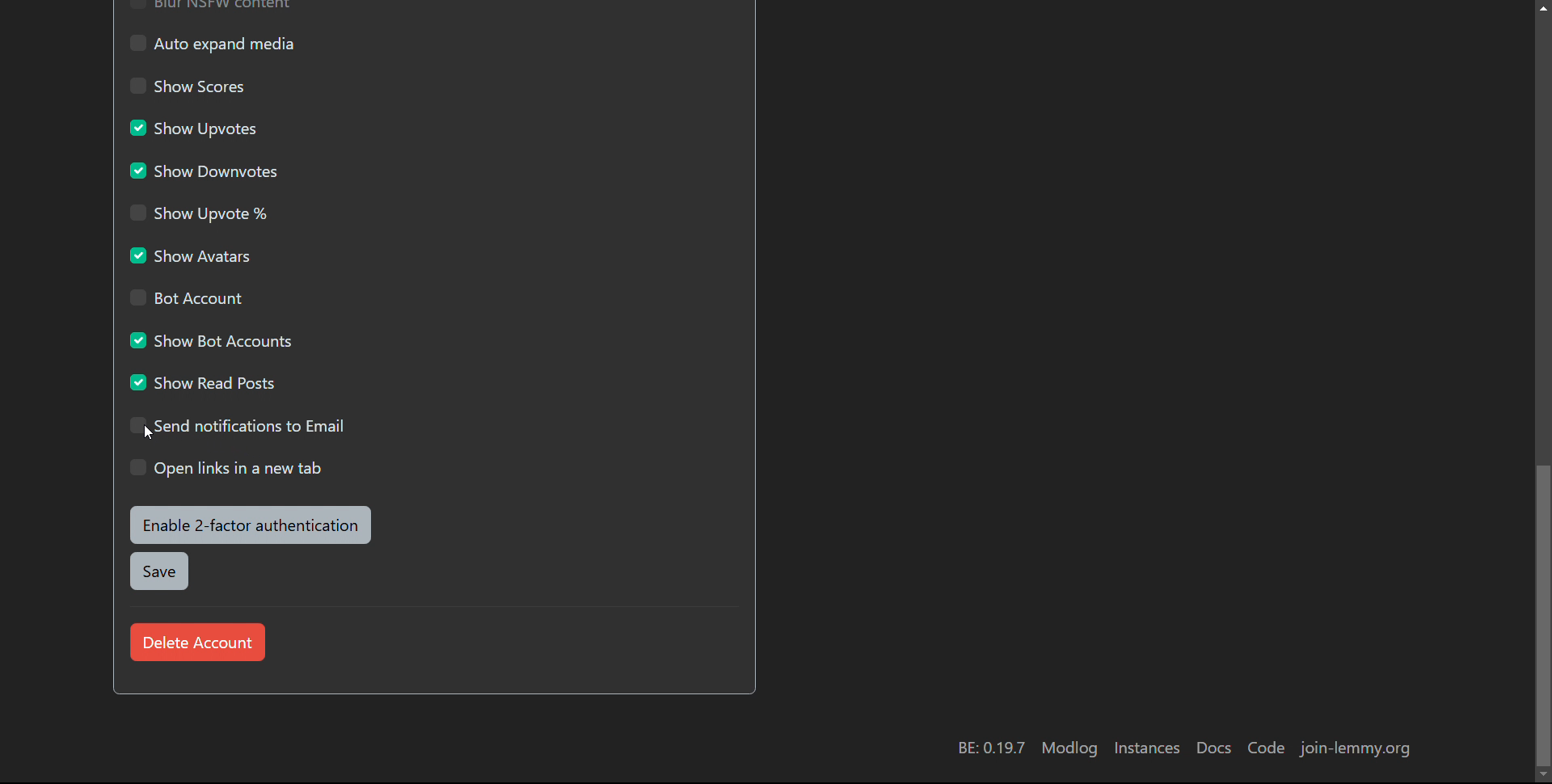  Describe the element at coordinates (158, 571) in the screenshot. I see `save` at that location.